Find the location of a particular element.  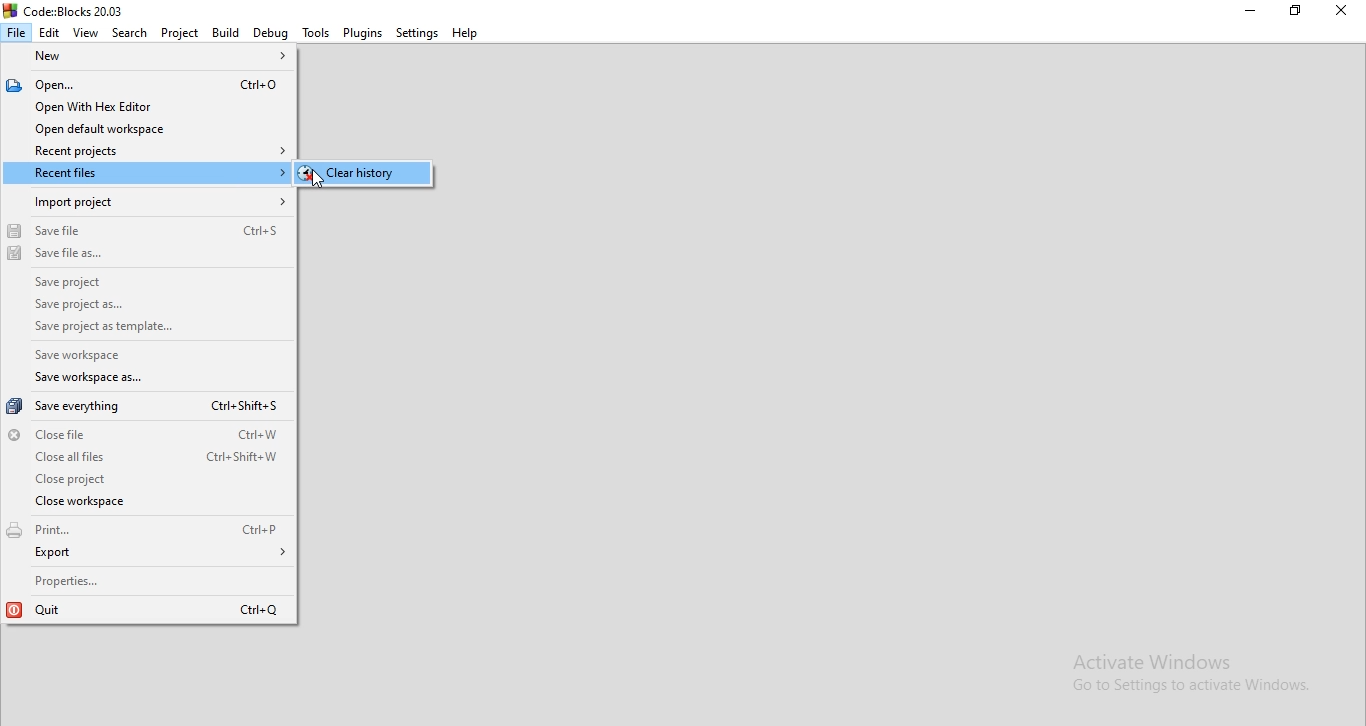

Properties.. is located at coordinates (150, 581).